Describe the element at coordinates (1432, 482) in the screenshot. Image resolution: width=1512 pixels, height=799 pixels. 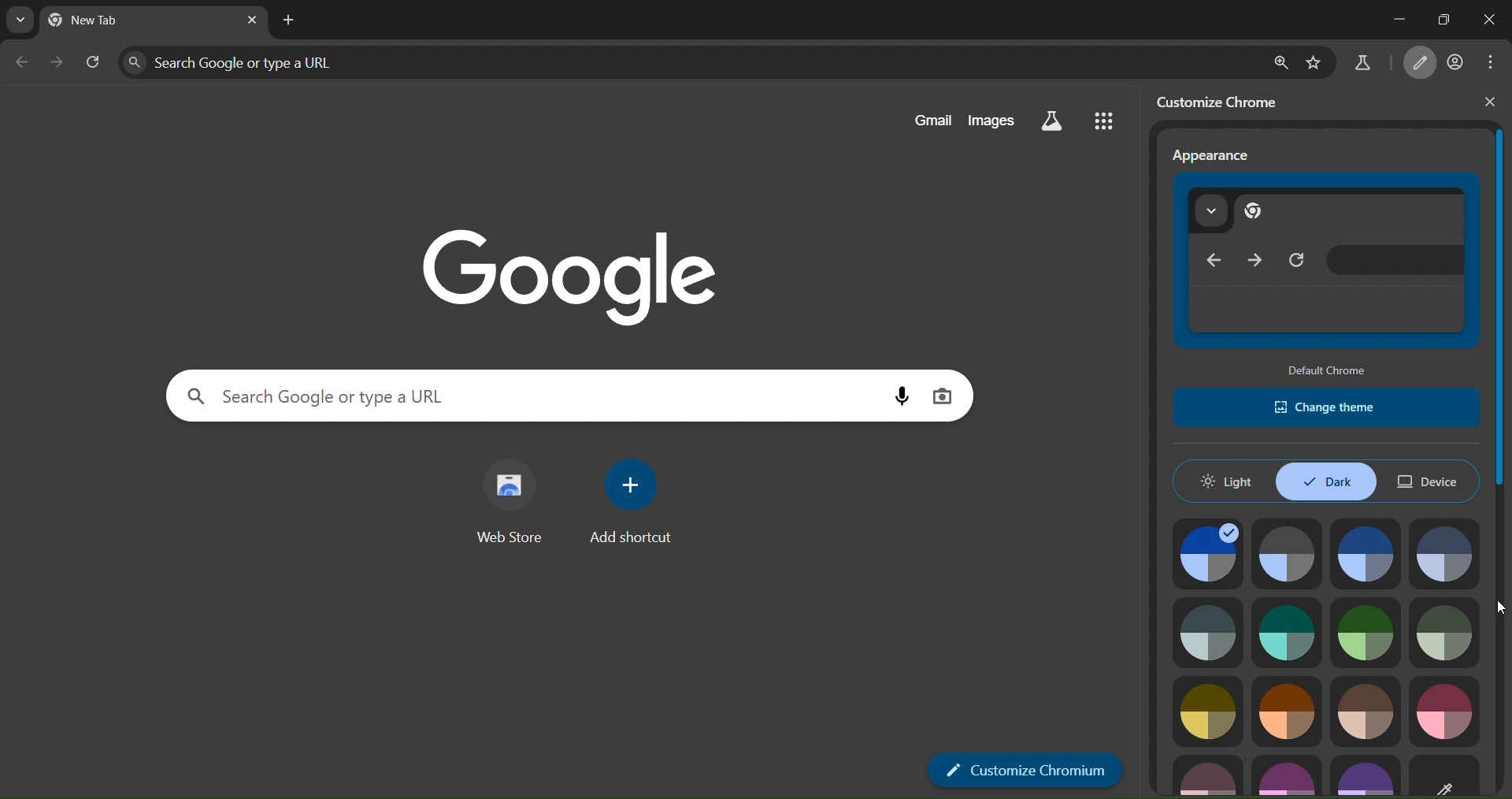
I see `device` at that location.